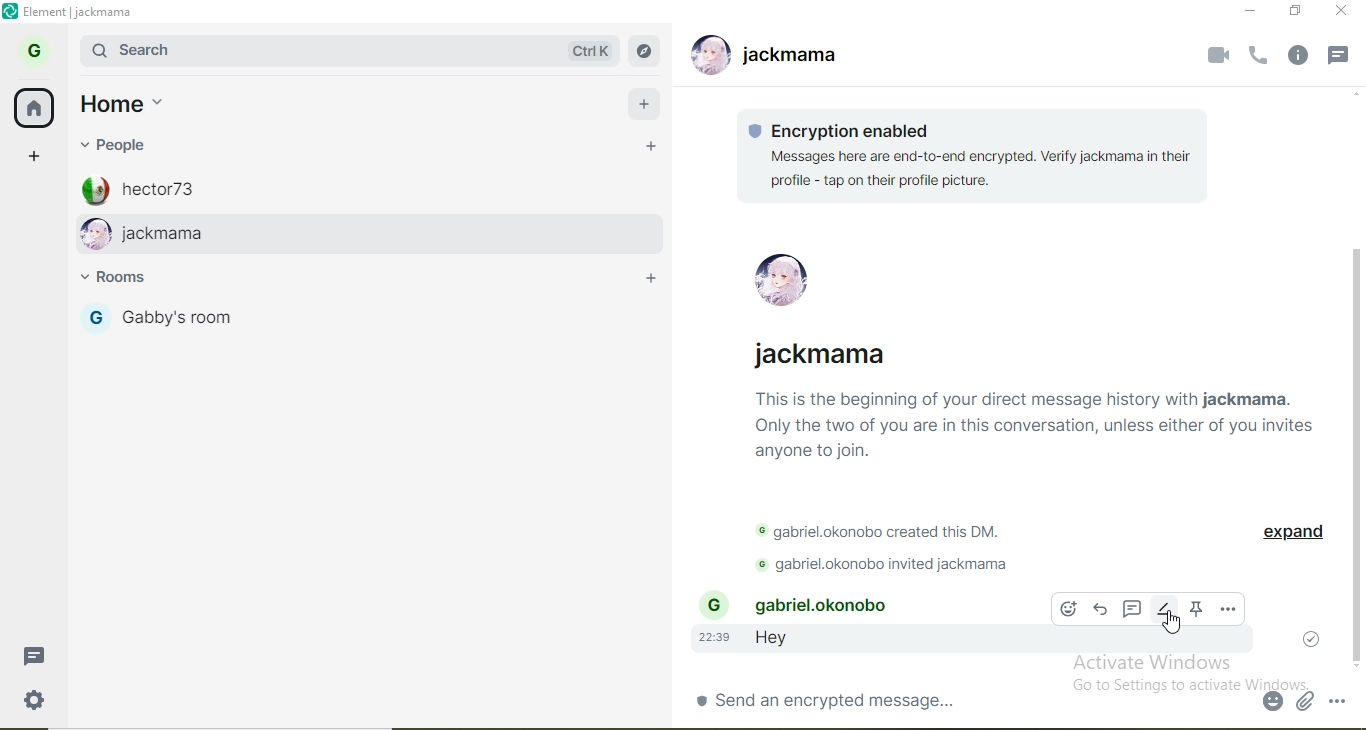 Image resolution: width=1366 pixels, height=730 pixels. What do you see at coordinates (1354, 456) in the screenshot?
I see `scroll bar` at bounding box center [1354, 456].